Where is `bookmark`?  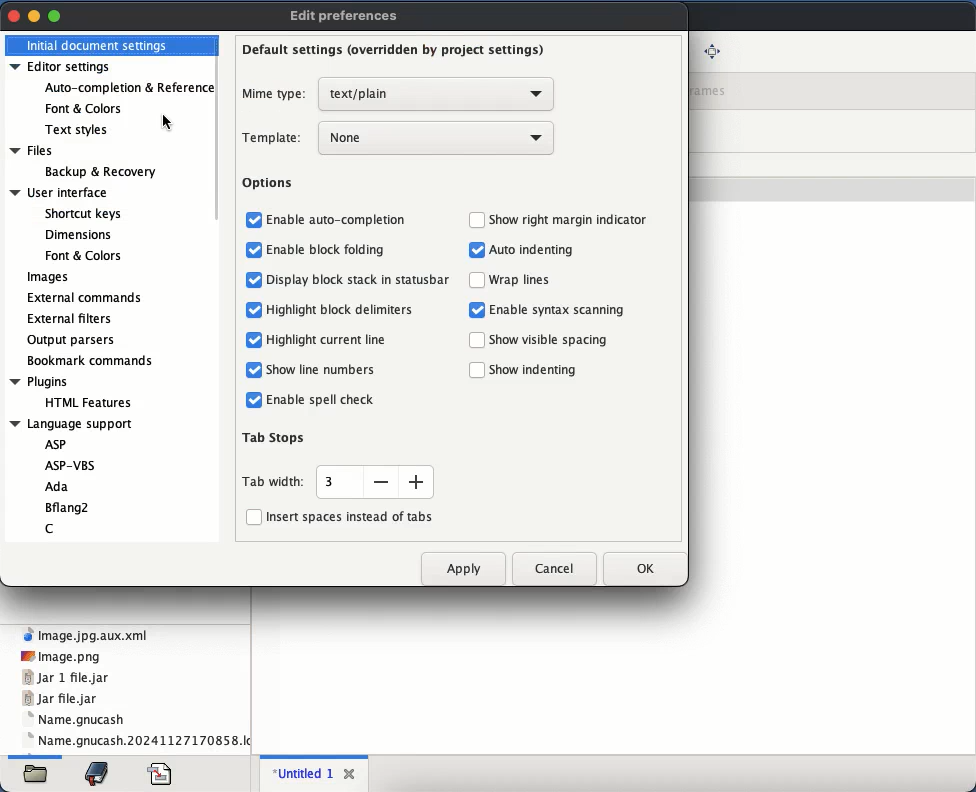
bookmark is located at coordinates (99, 772).